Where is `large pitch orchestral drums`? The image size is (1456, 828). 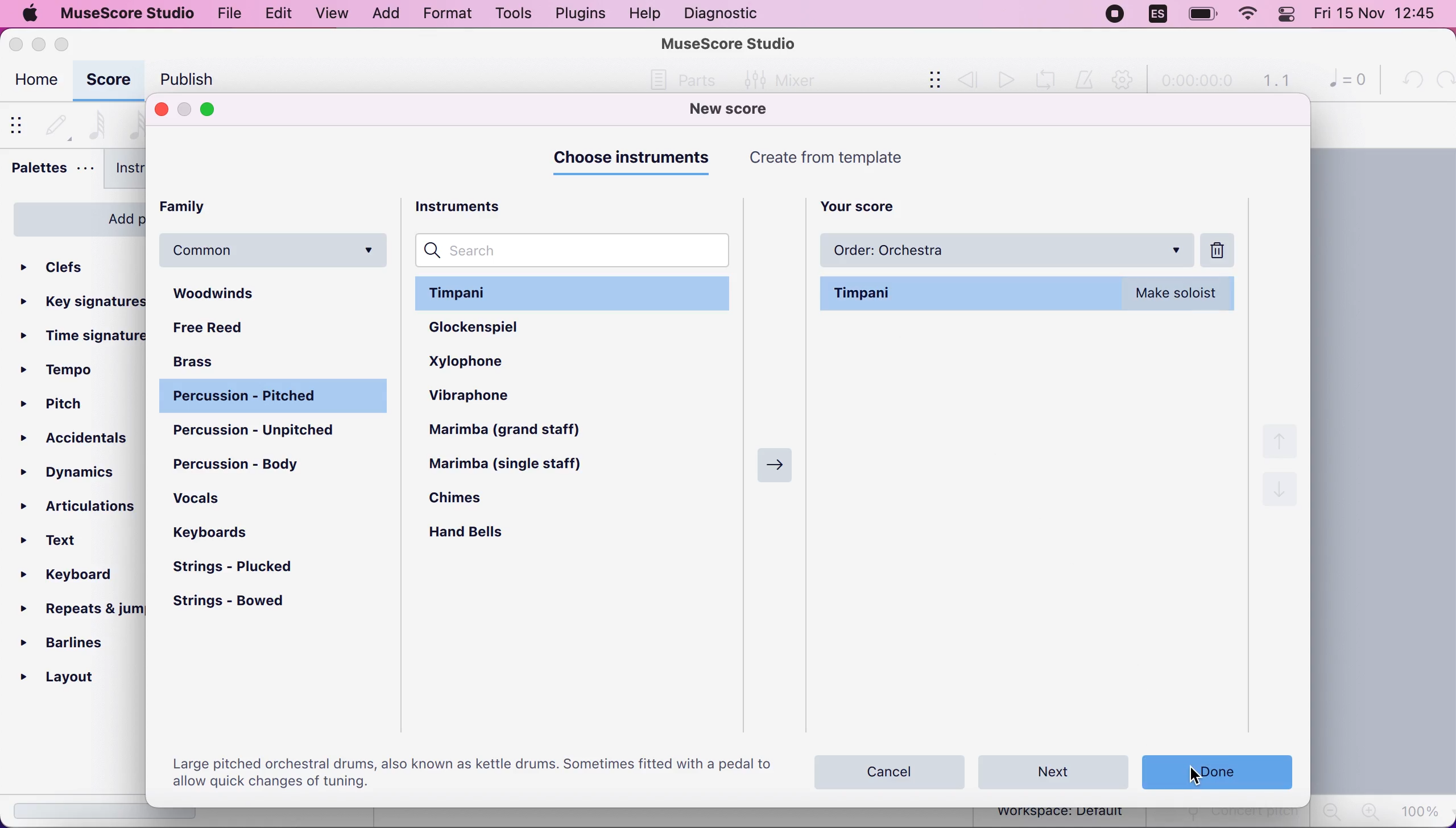
large pitch orchestral drums is located at coordinates (478, 769).